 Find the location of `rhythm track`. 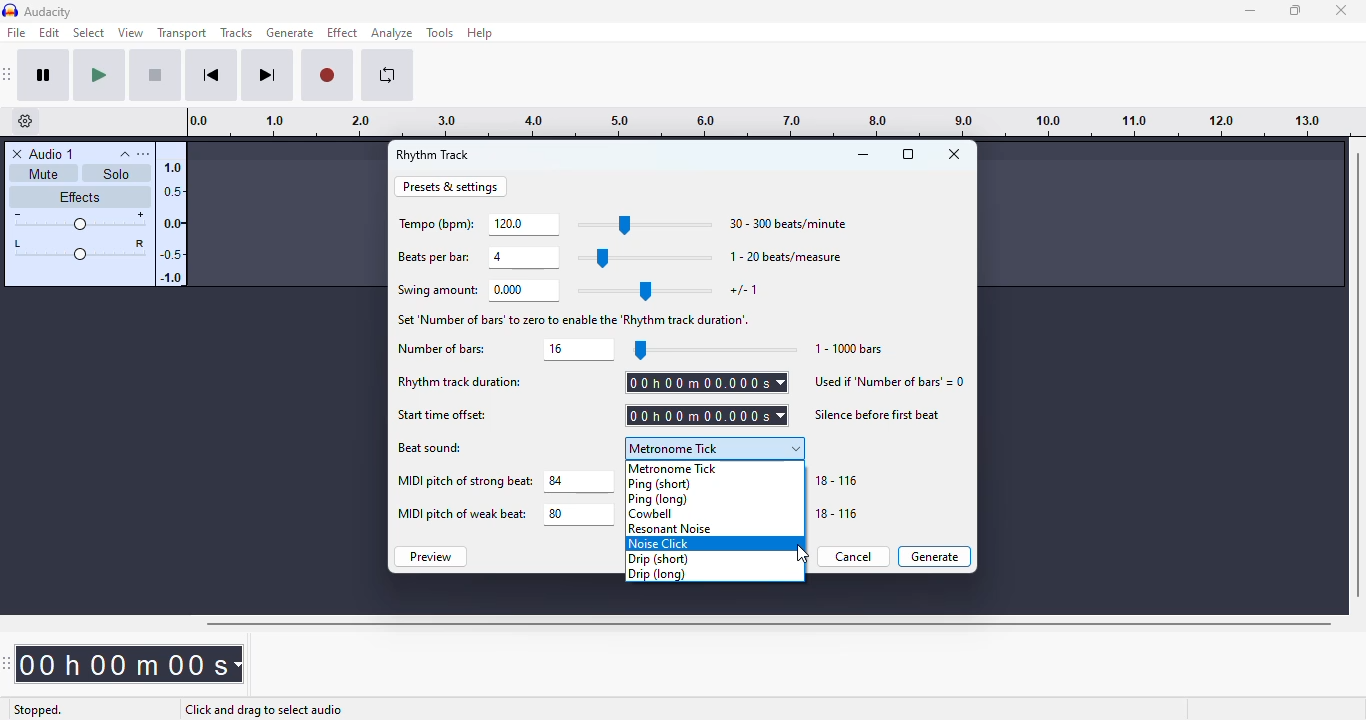

rhythm track is located at coordinates (434, 155).